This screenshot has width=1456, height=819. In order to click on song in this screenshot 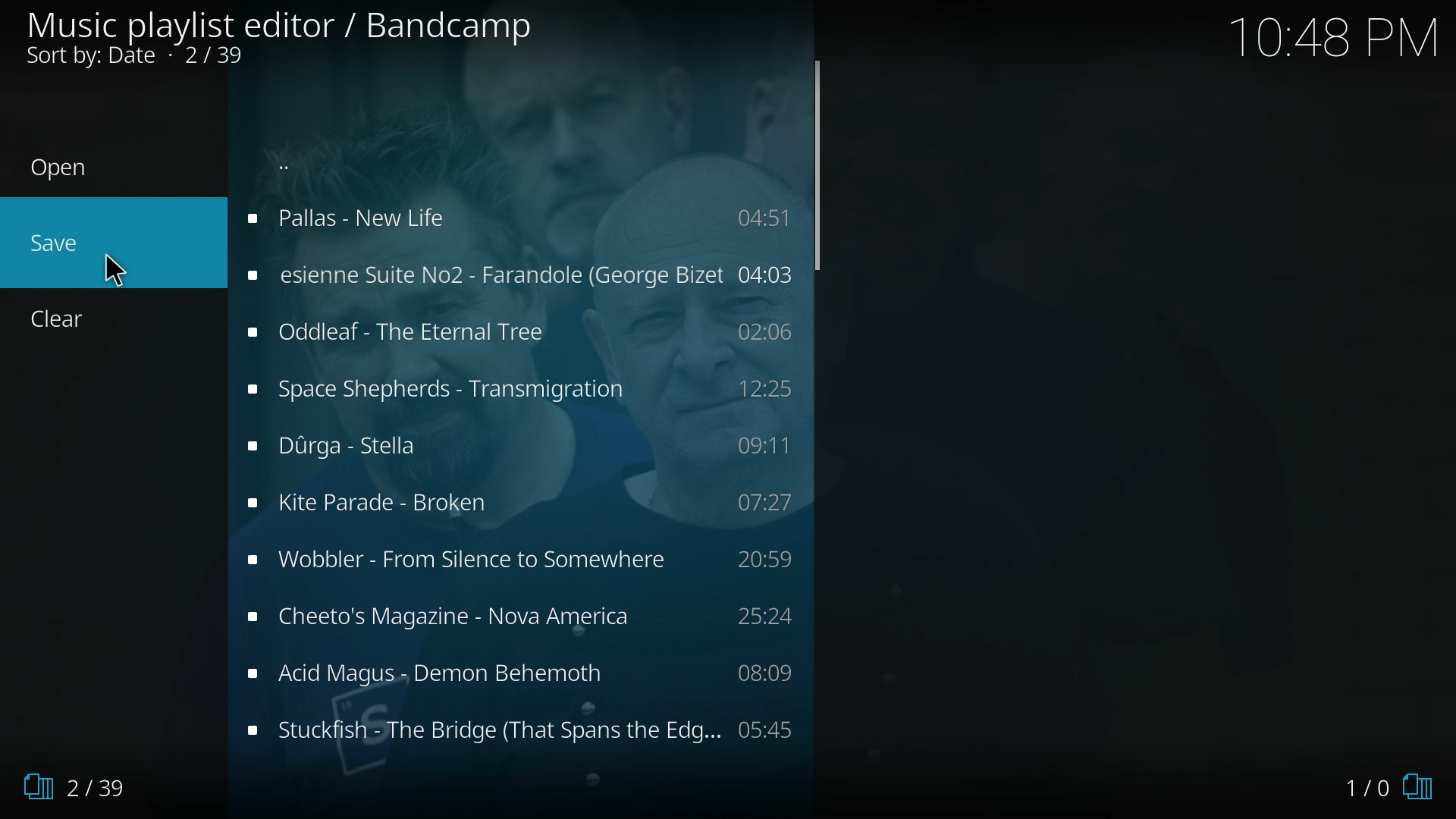, I will do `click(521, 504)`.